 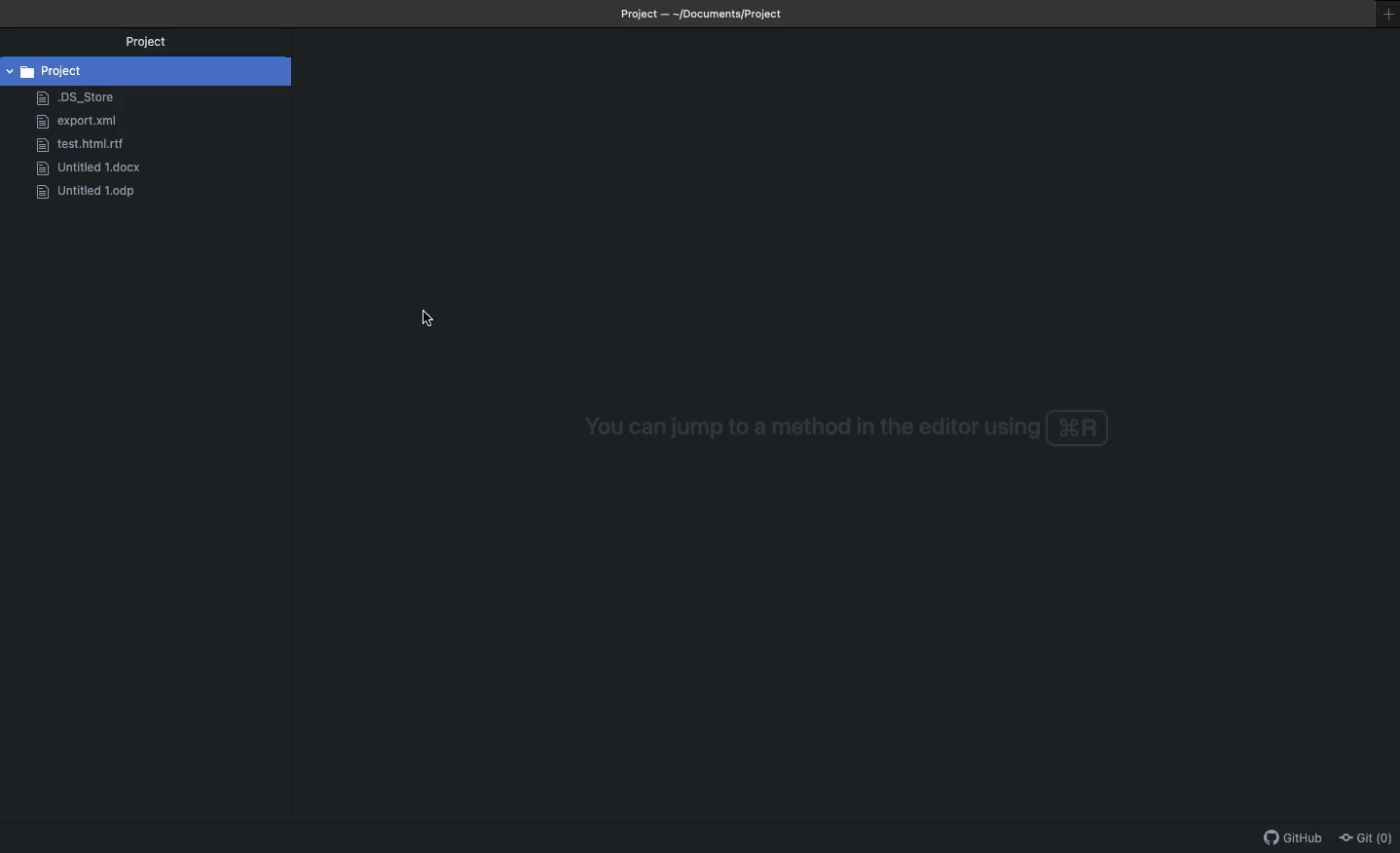 What do you see at coordinates (439, 323) in the screenshot?
I see `cursor` at bounding box center [439, 323].